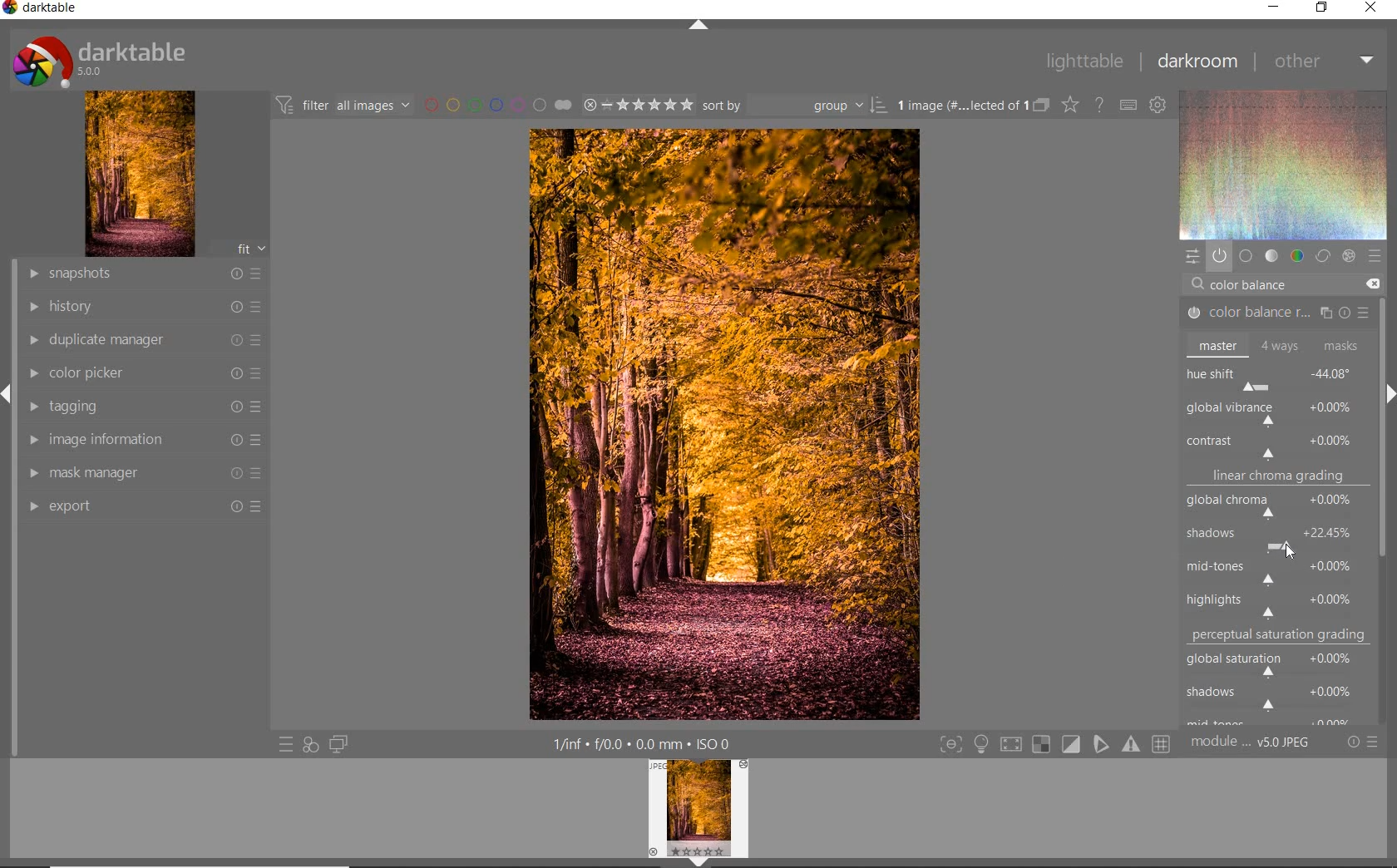 The image size is (1397, 868). What do you see at coordinates (146, 473) in the screenshot?
I see `mask manager` at bounding box center [146, 473].